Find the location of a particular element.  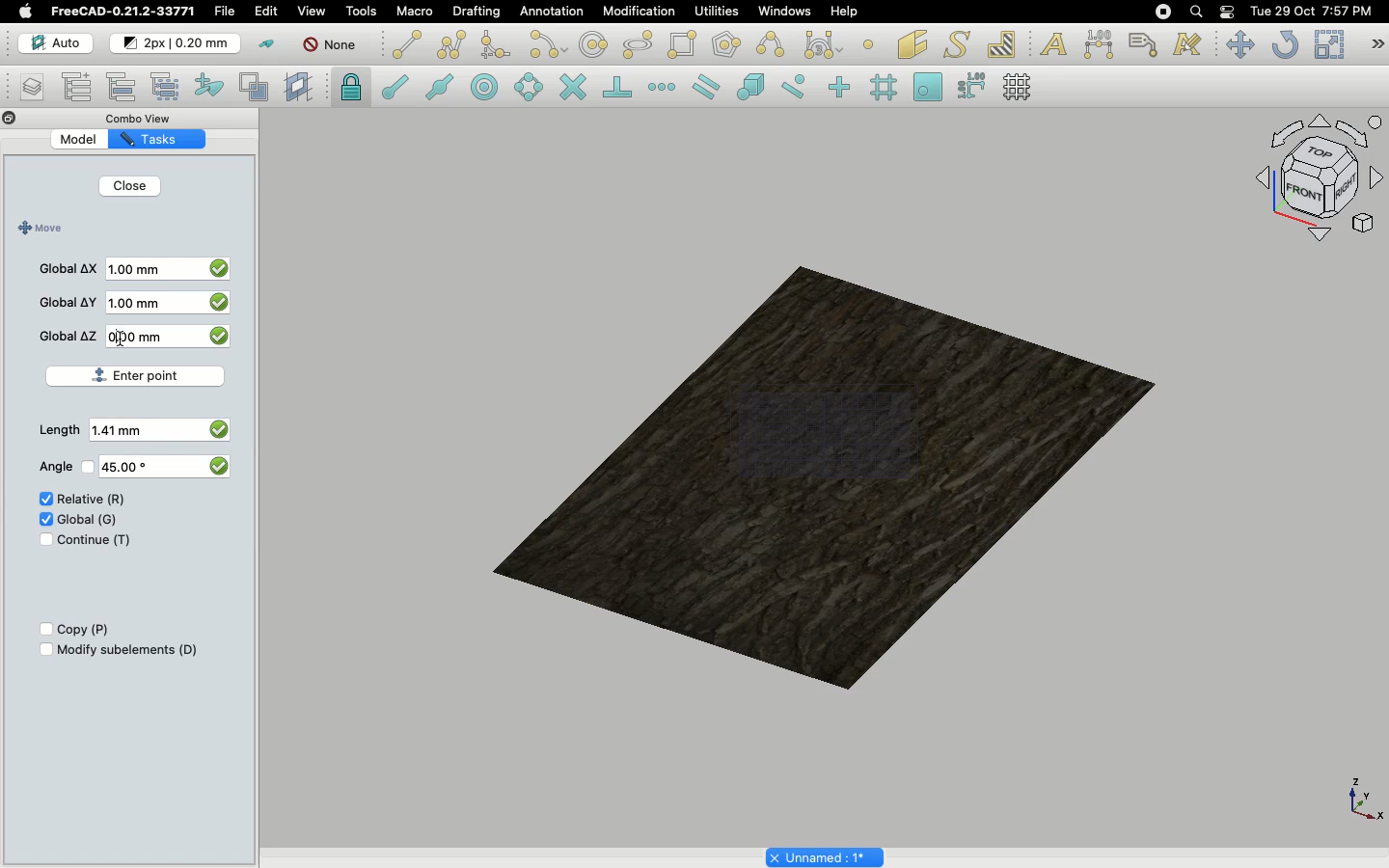

Check is located at coordinates (44, 518).